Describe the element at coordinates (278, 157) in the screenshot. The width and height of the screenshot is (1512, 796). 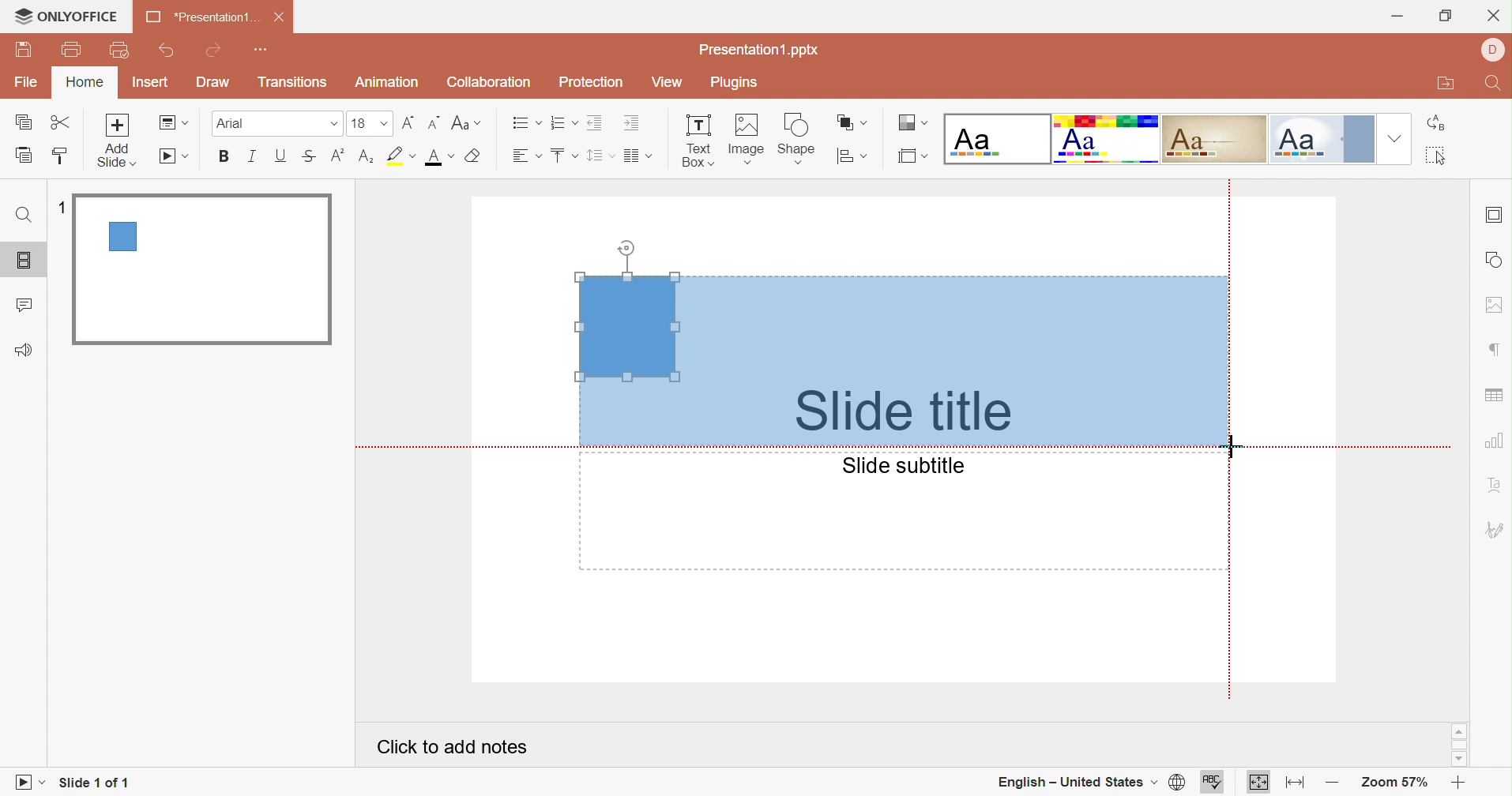
I see `Underline` at that location.